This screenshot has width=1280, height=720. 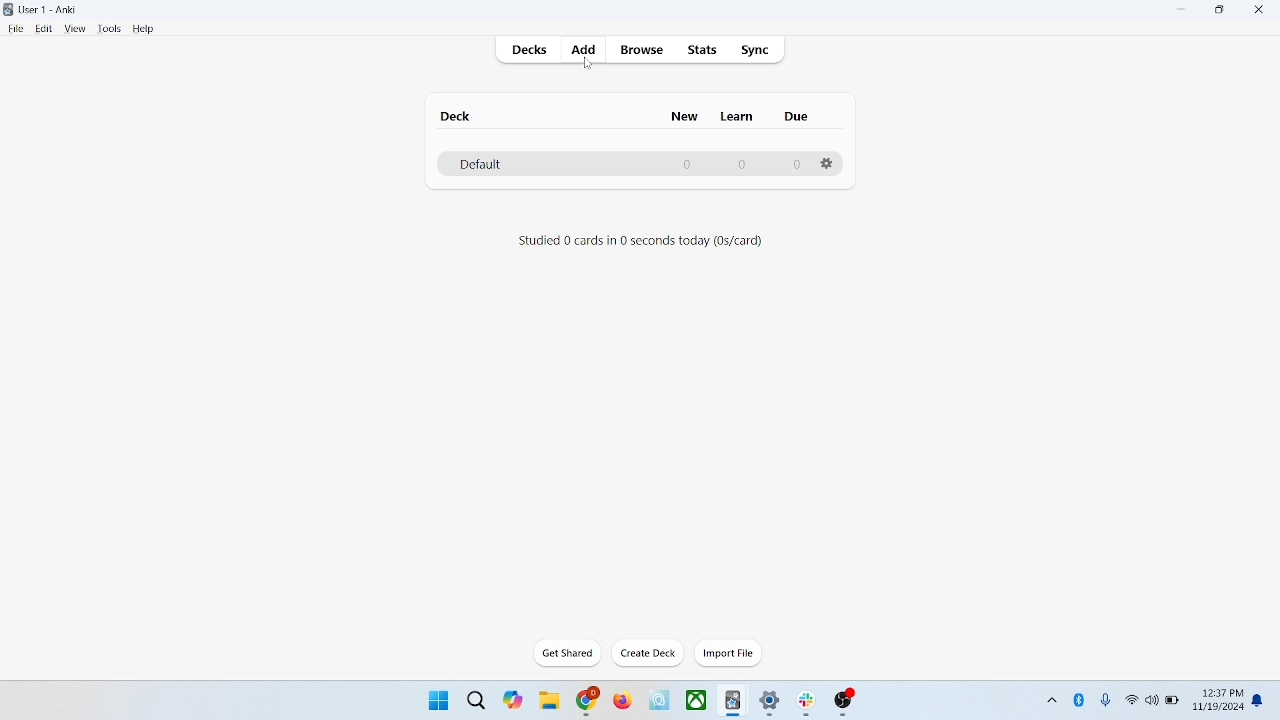 What do you see at coordinates (588, 66) in the screenshot?
I see `cursor` at bounding box center [588, 66].